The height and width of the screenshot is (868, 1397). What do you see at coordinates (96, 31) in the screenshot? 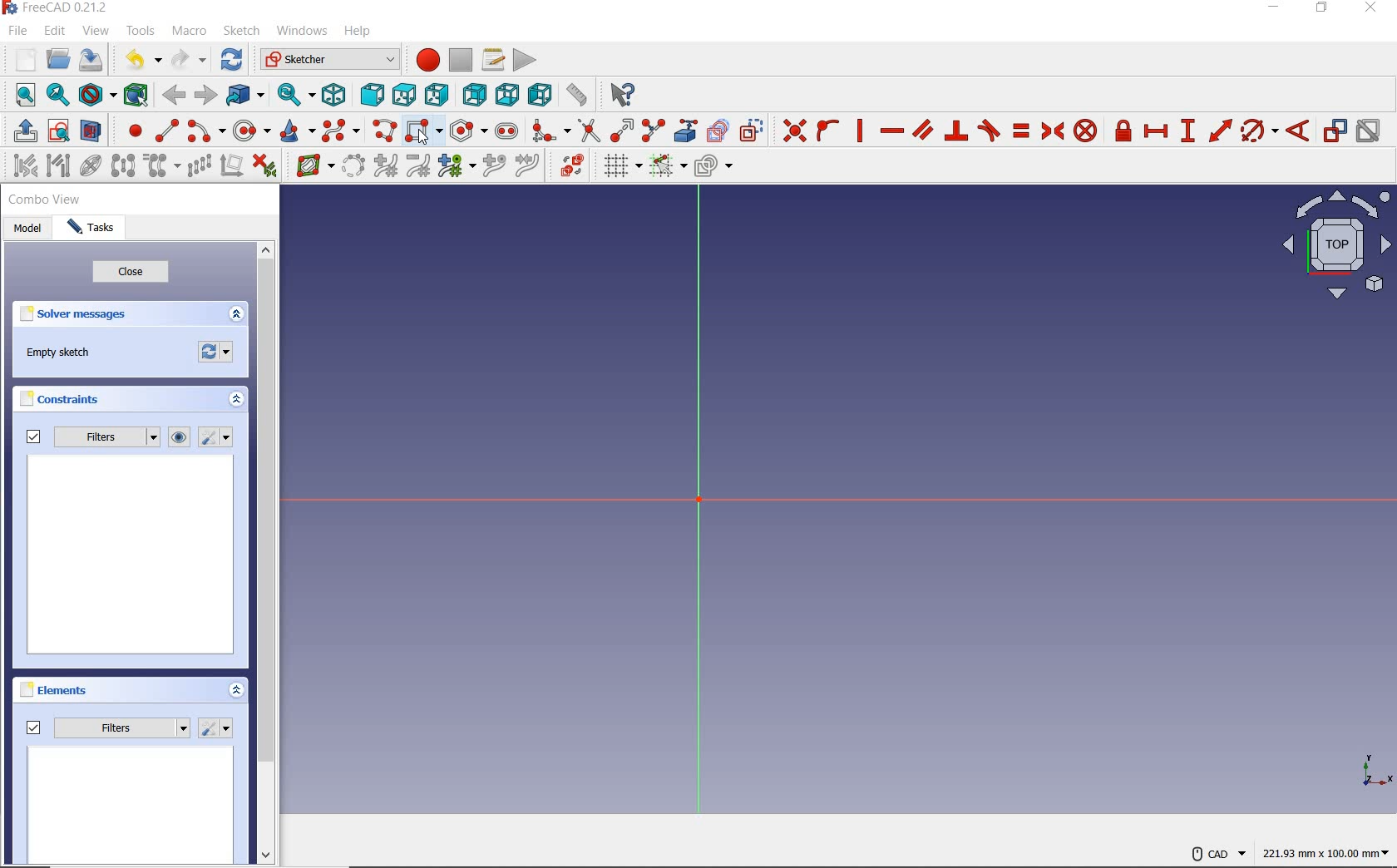
I see `view` at bounding box center [96, 31].